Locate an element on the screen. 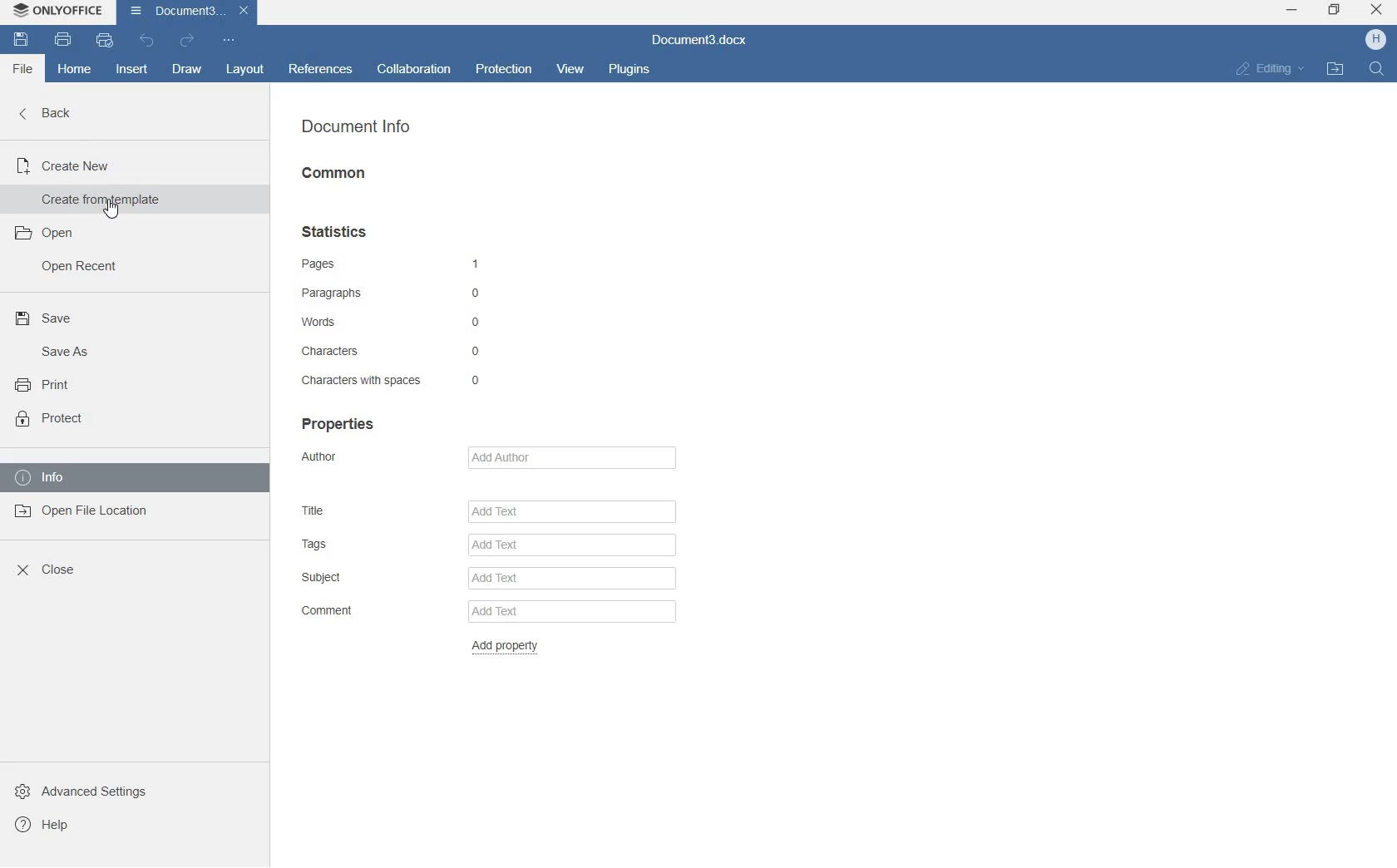 This screenshot has width=1397, height=868. protect is located at coordinates (48, 421).